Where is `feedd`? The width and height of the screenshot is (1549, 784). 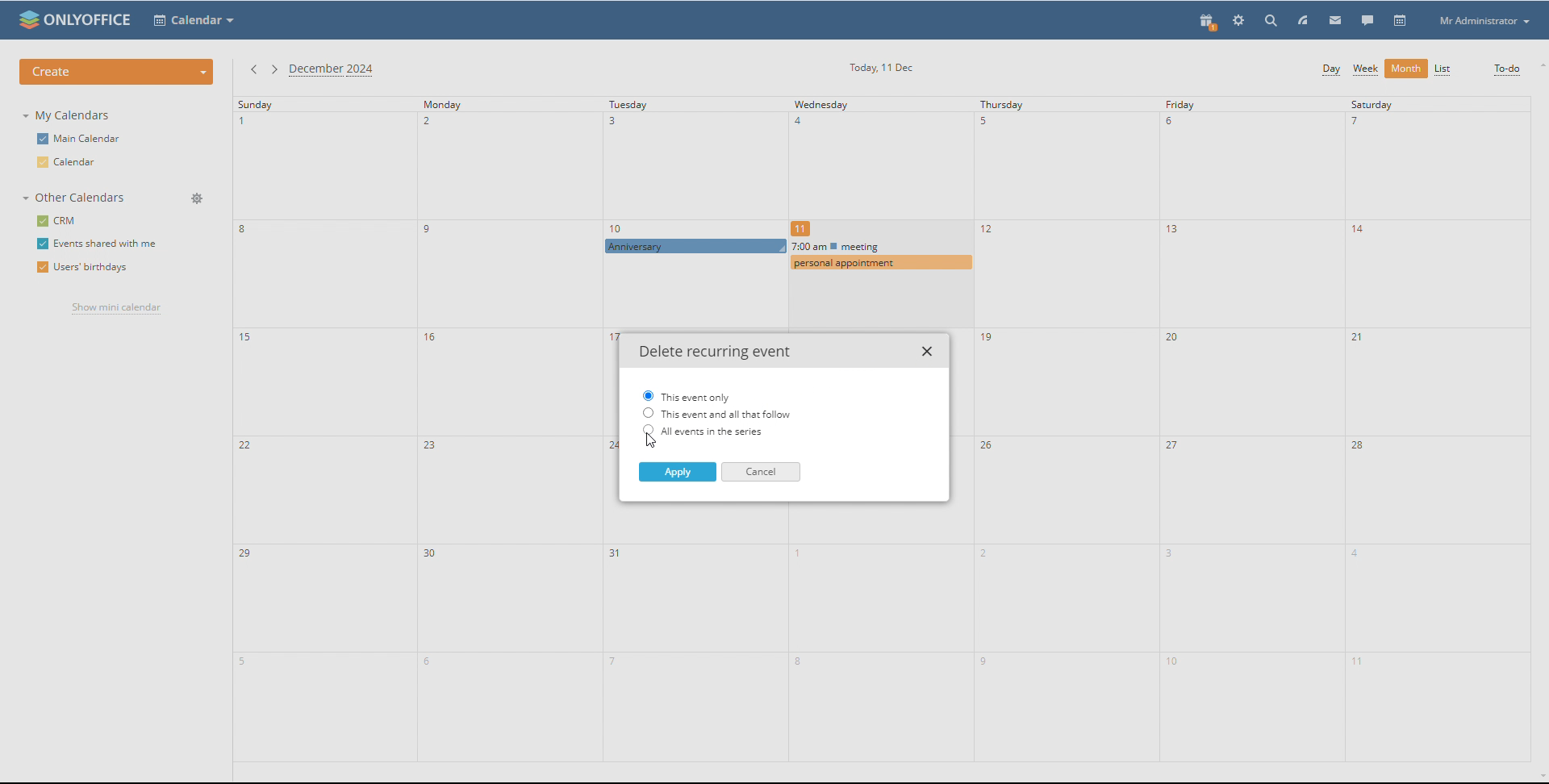
feedd is located at coordinates (1303, 20).